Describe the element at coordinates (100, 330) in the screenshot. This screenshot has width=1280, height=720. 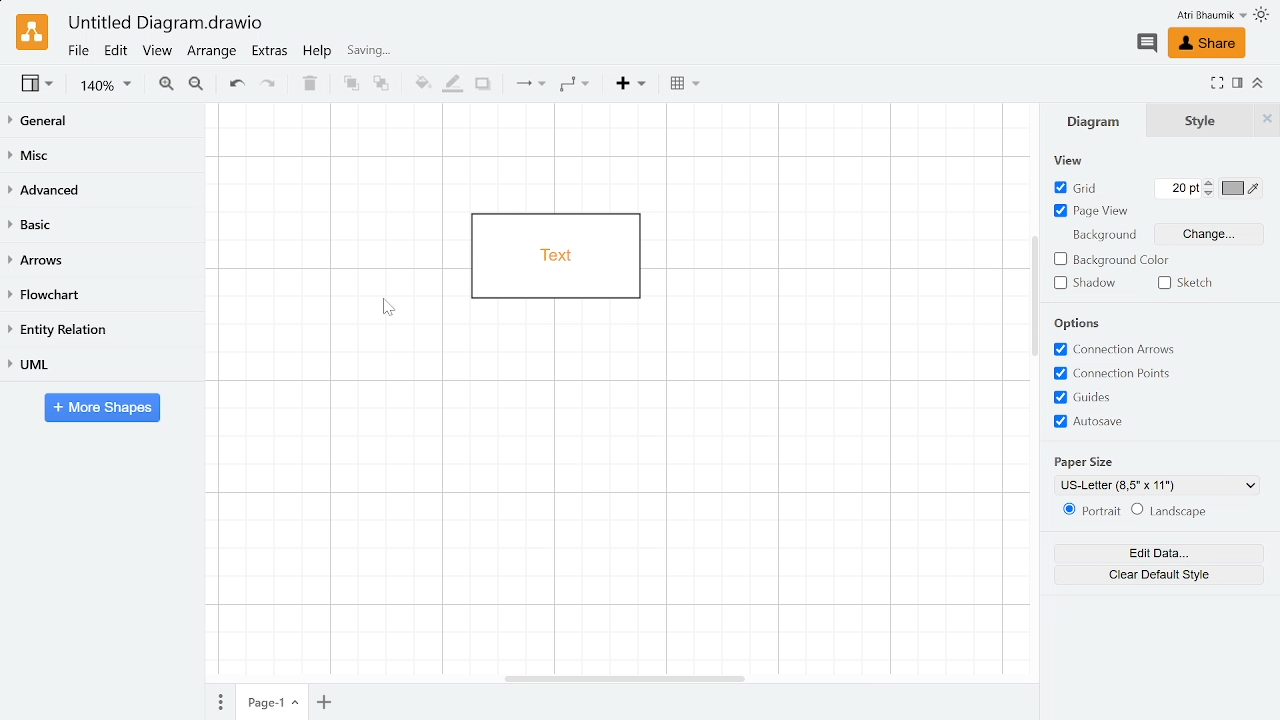
I see `Entity relation` at that location.